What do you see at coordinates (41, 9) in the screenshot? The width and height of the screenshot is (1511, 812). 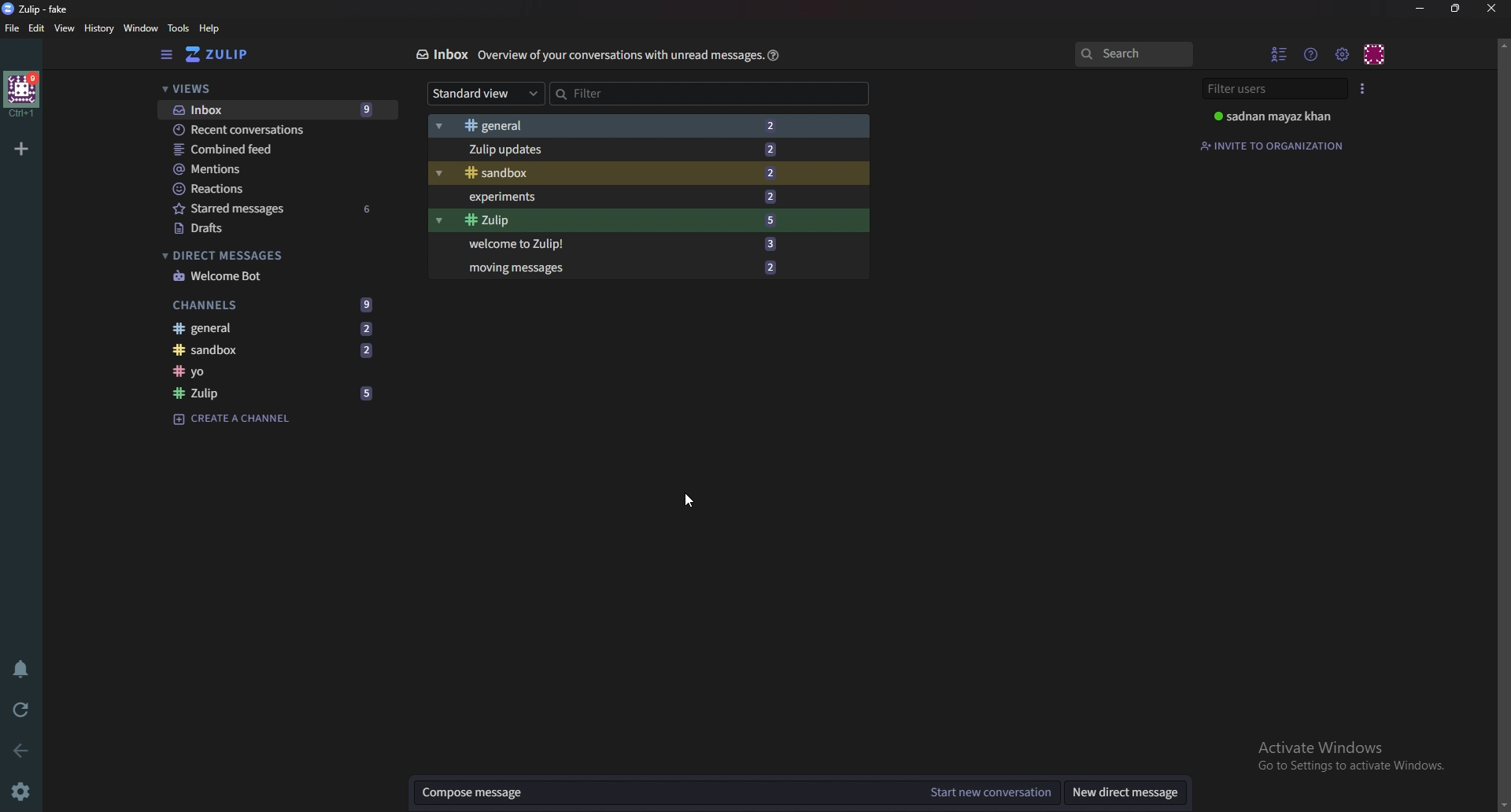 I see `zulip` at bounding box center [41, 9].